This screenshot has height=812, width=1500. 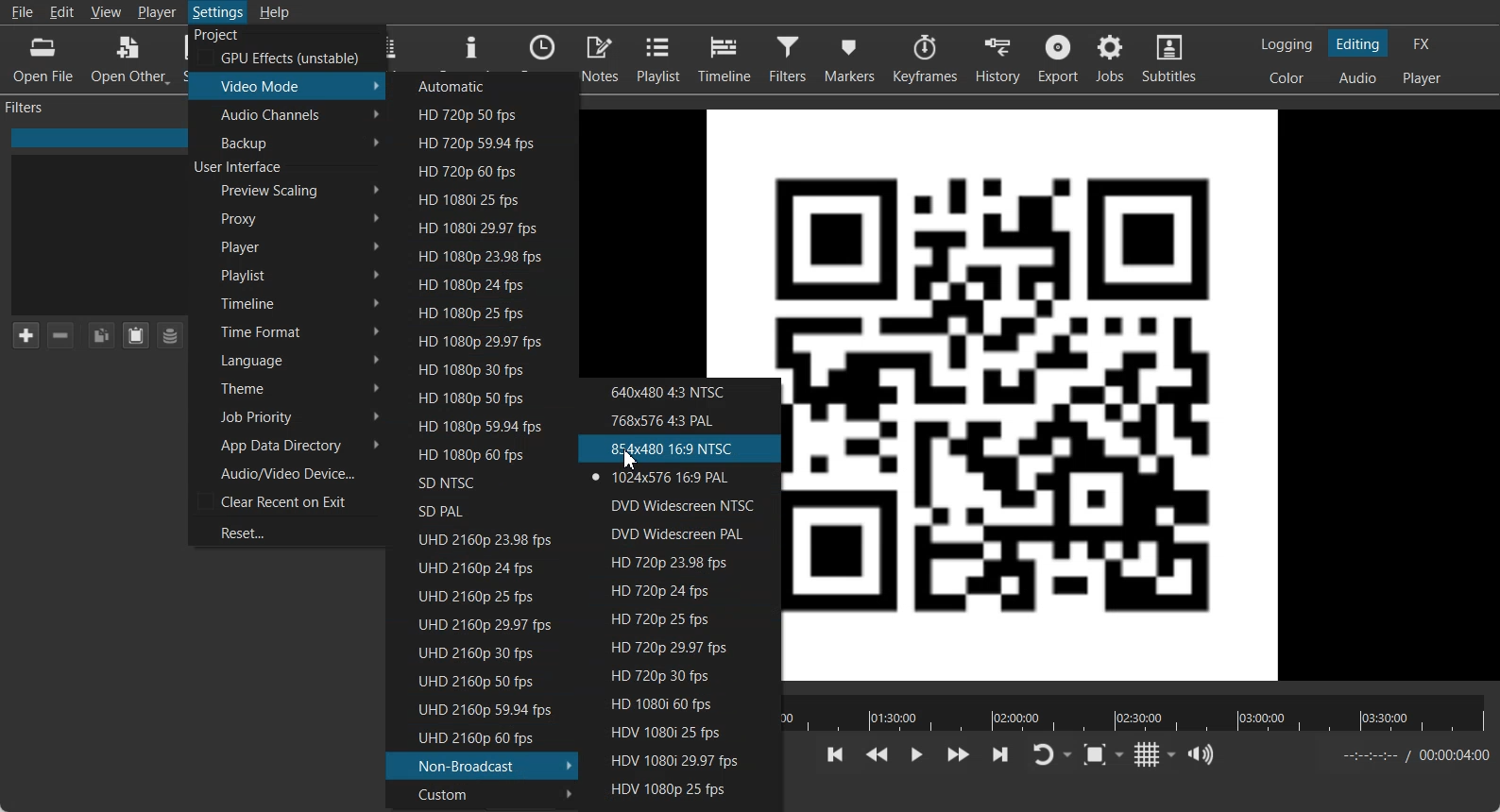 What do you see at coordinates (483, 114) in the screenshot?
I see `HD 720p 50 fps` at bounding box center [483, 114].